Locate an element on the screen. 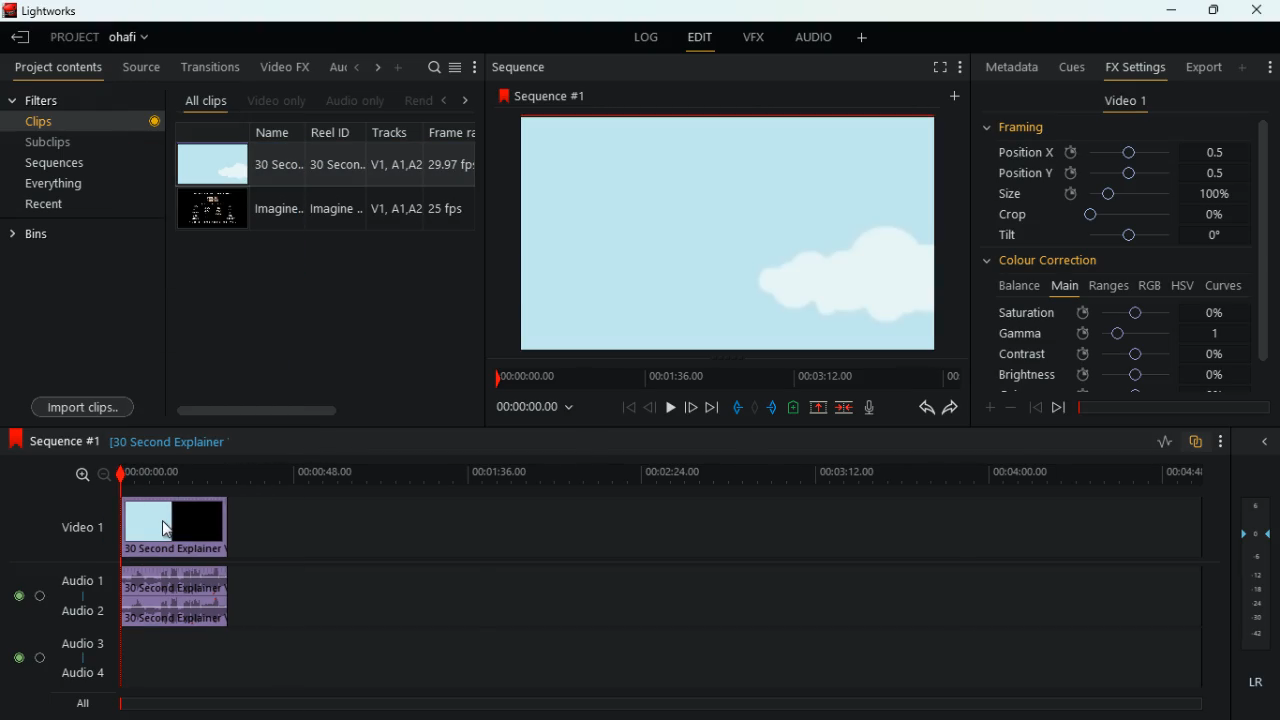 The width and height of the screenshot is (1280, 720). export is located at coordinates (1199, 67).